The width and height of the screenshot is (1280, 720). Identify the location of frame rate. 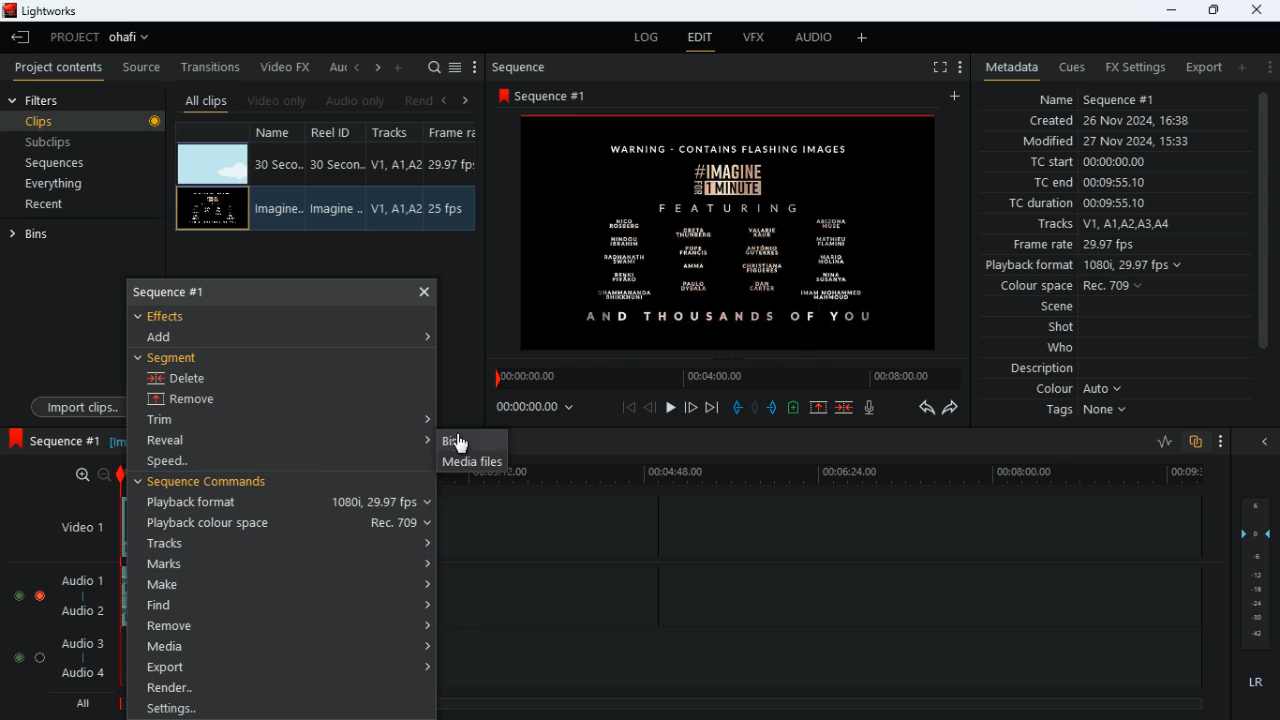
(1095, 244).